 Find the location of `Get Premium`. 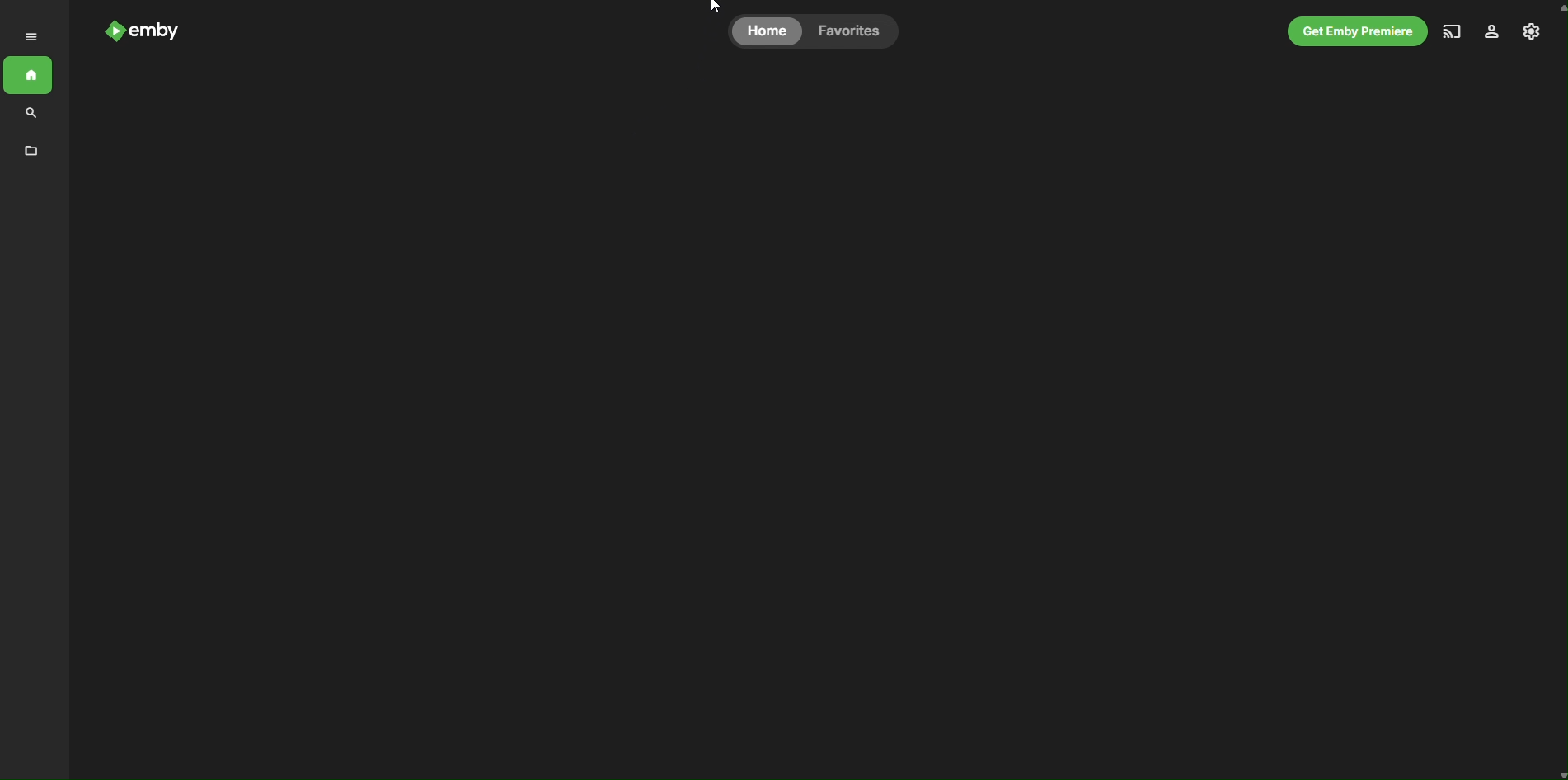

Get Premium is located at coordinates (1350, 32).